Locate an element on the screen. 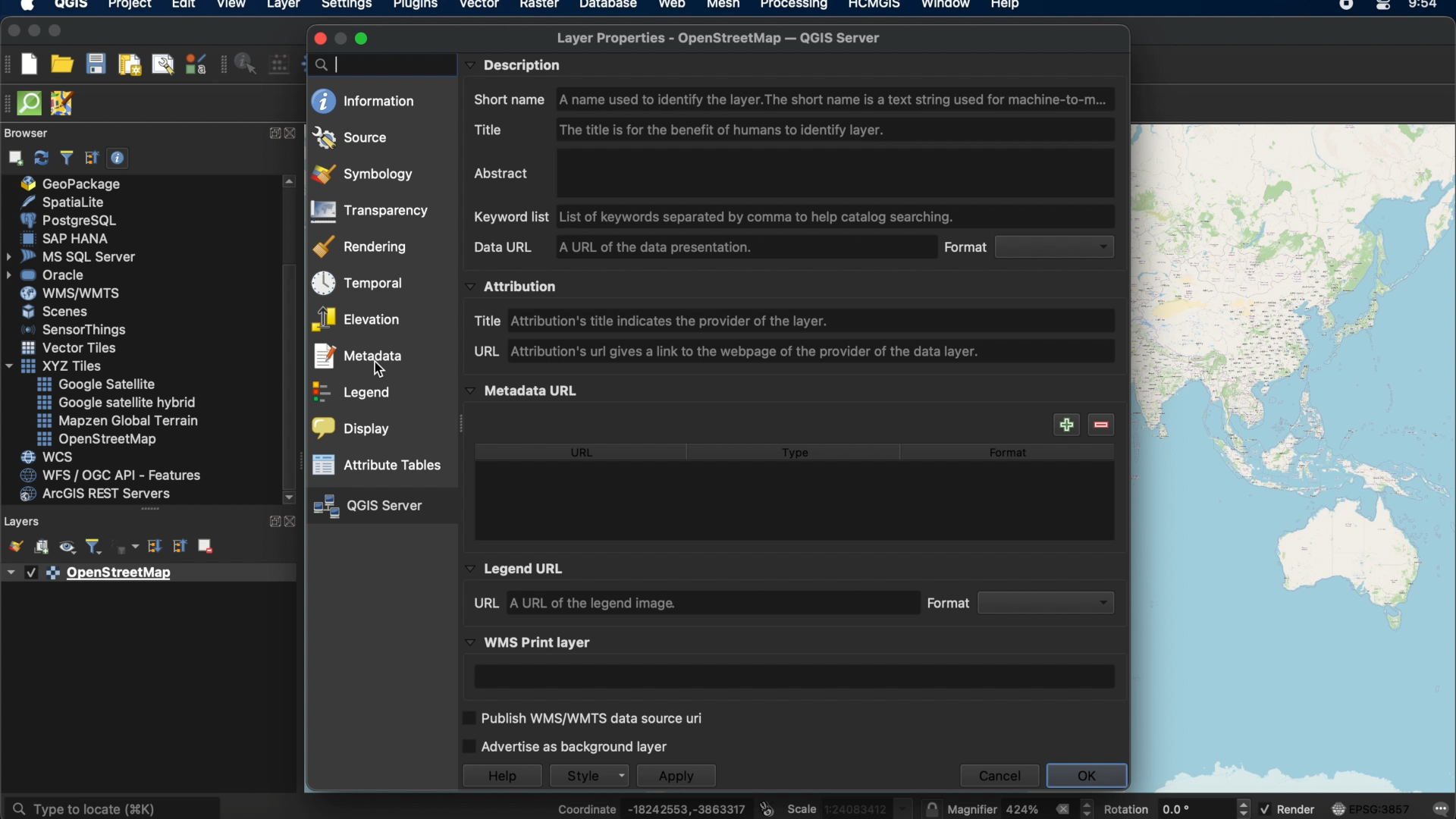 The width and height of the screenshot is (1456, 819). oracle is located at coordinates (52, 276).